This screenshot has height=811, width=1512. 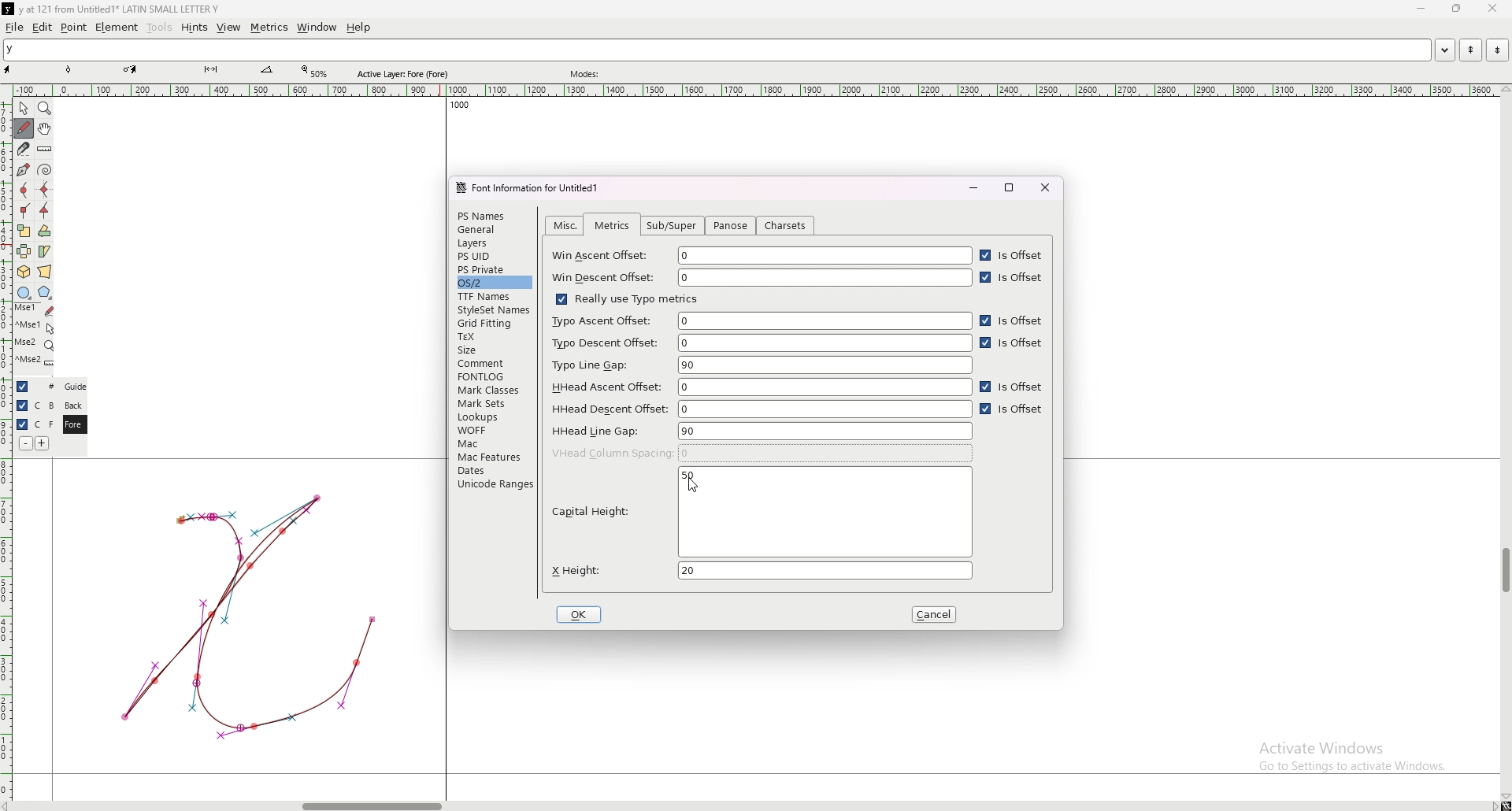 I want to click on resize, so click(x=1455, y=9).